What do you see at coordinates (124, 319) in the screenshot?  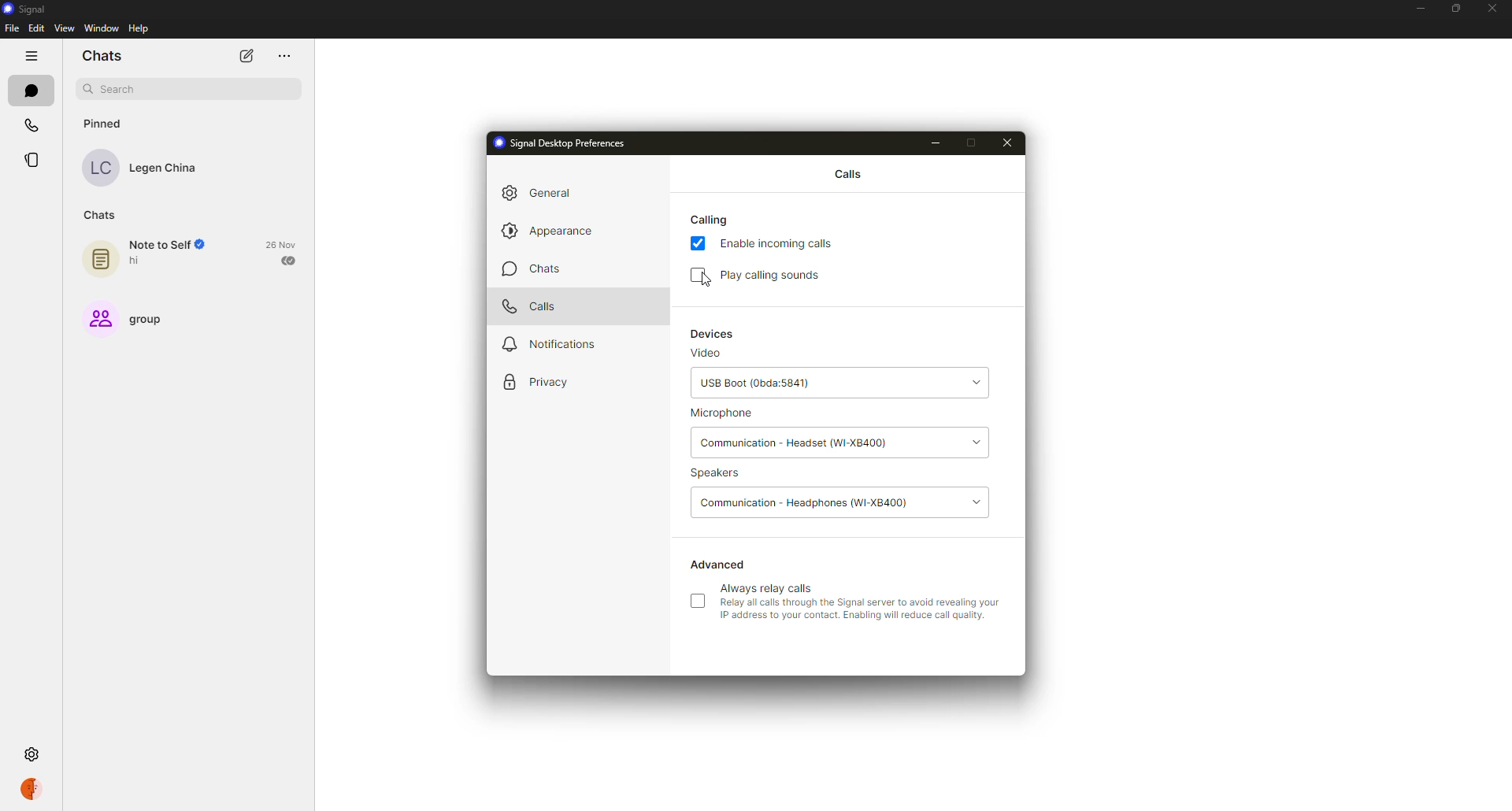 I see `group` at bounding box center [124, 319].